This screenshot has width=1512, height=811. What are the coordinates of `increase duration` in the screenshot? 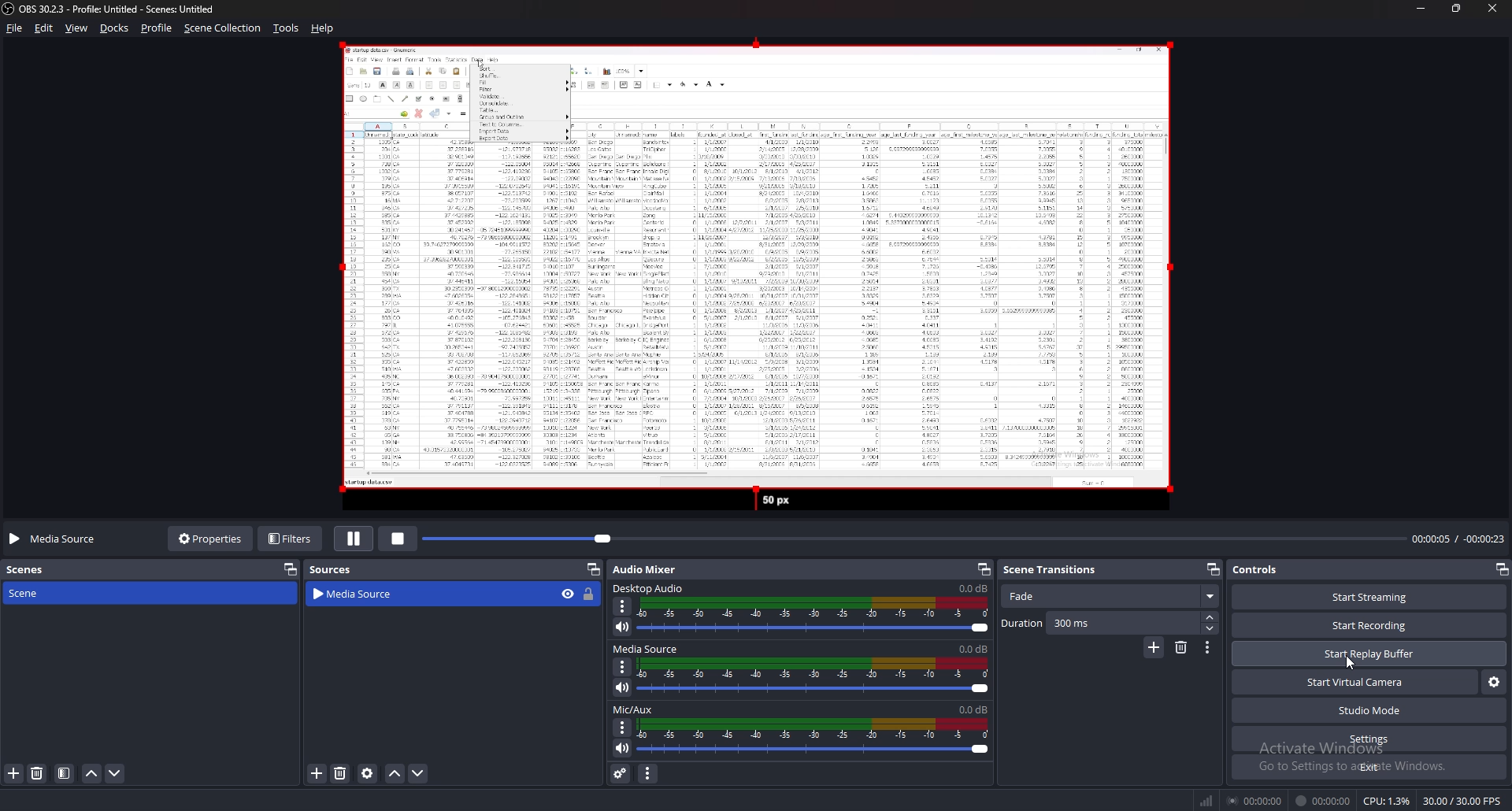 It's located at (1212, 617).